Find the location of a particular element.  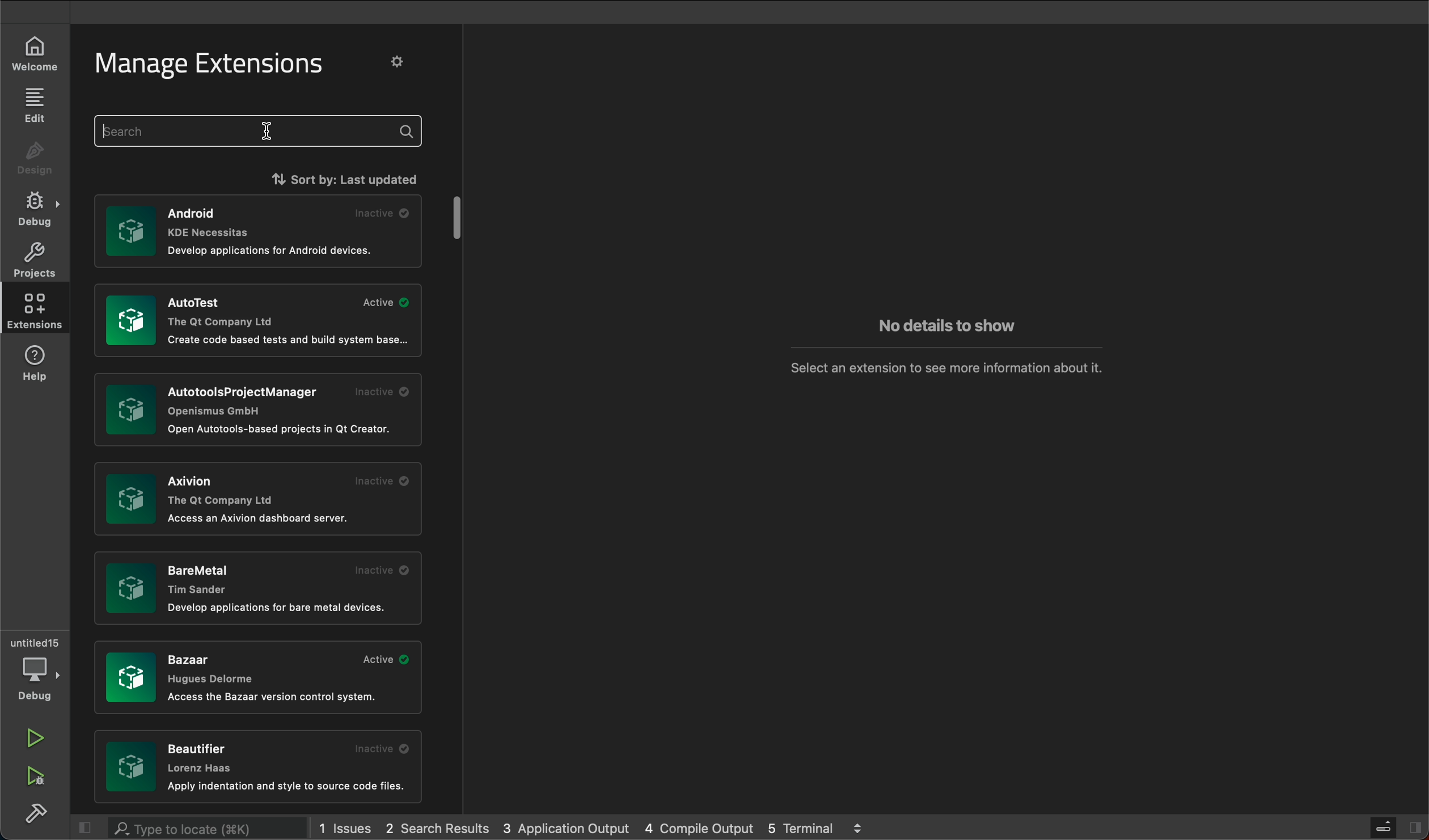

extension text is located at coordinates (289, 787).